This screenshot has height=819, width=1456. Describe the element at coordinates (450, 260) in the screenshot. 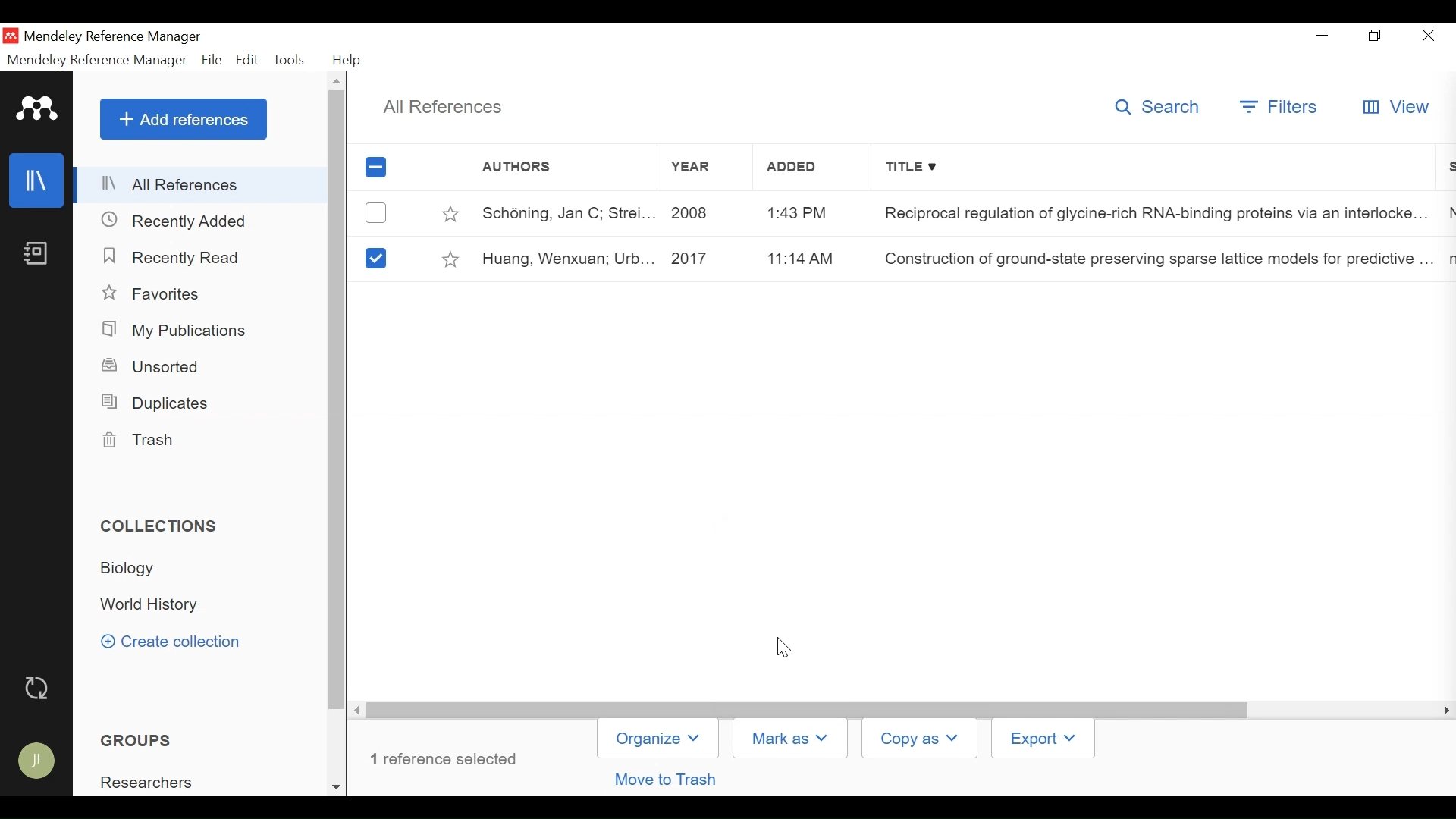

I see `Toggle Favorites` at that location.